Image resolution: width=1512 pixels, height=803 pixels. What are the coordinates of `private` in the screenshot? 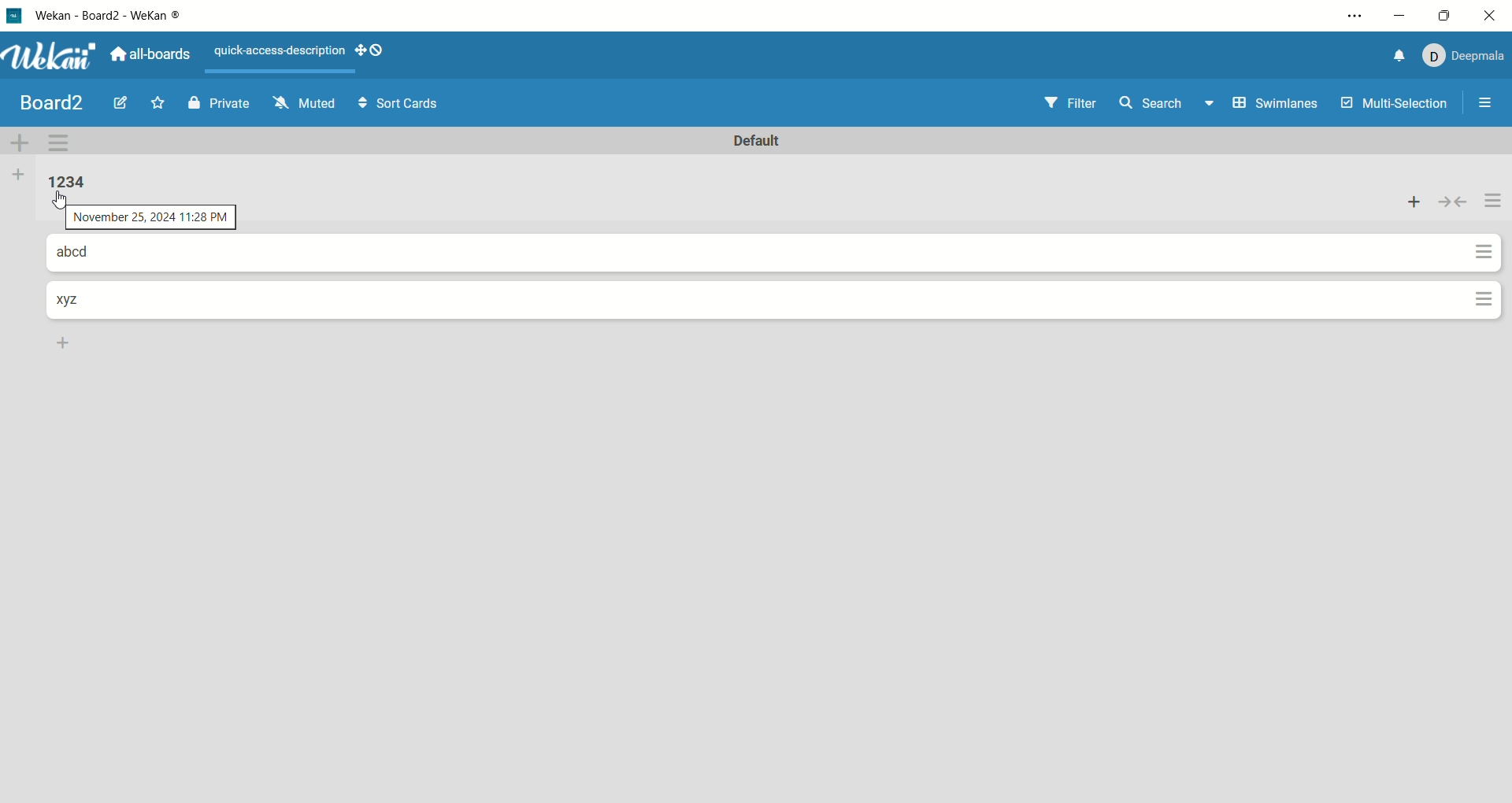 It's located at (220, 102).